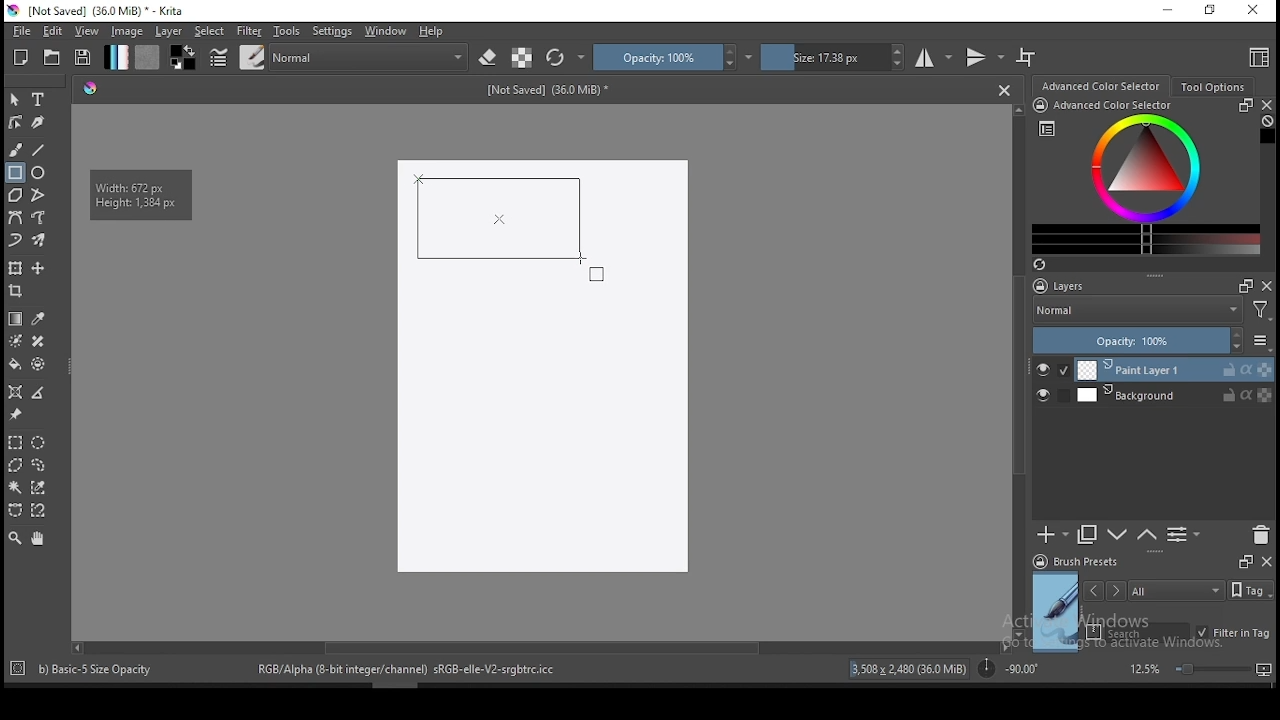 This screenshot has height=720, width=1280. I want to click on view or change layer properties, so click(1183, 534).